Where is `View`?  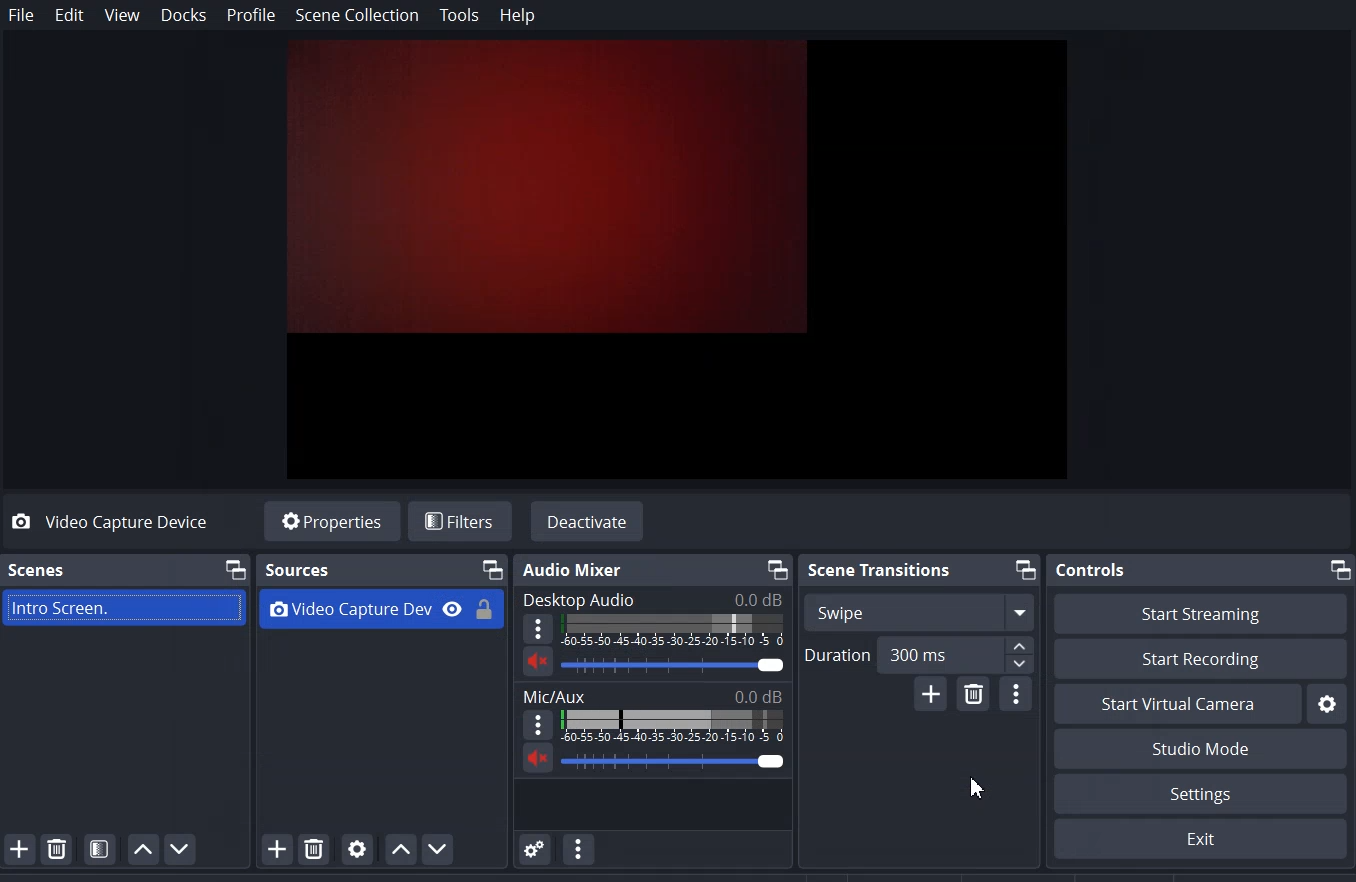
View is located at coordinates (122, 15).